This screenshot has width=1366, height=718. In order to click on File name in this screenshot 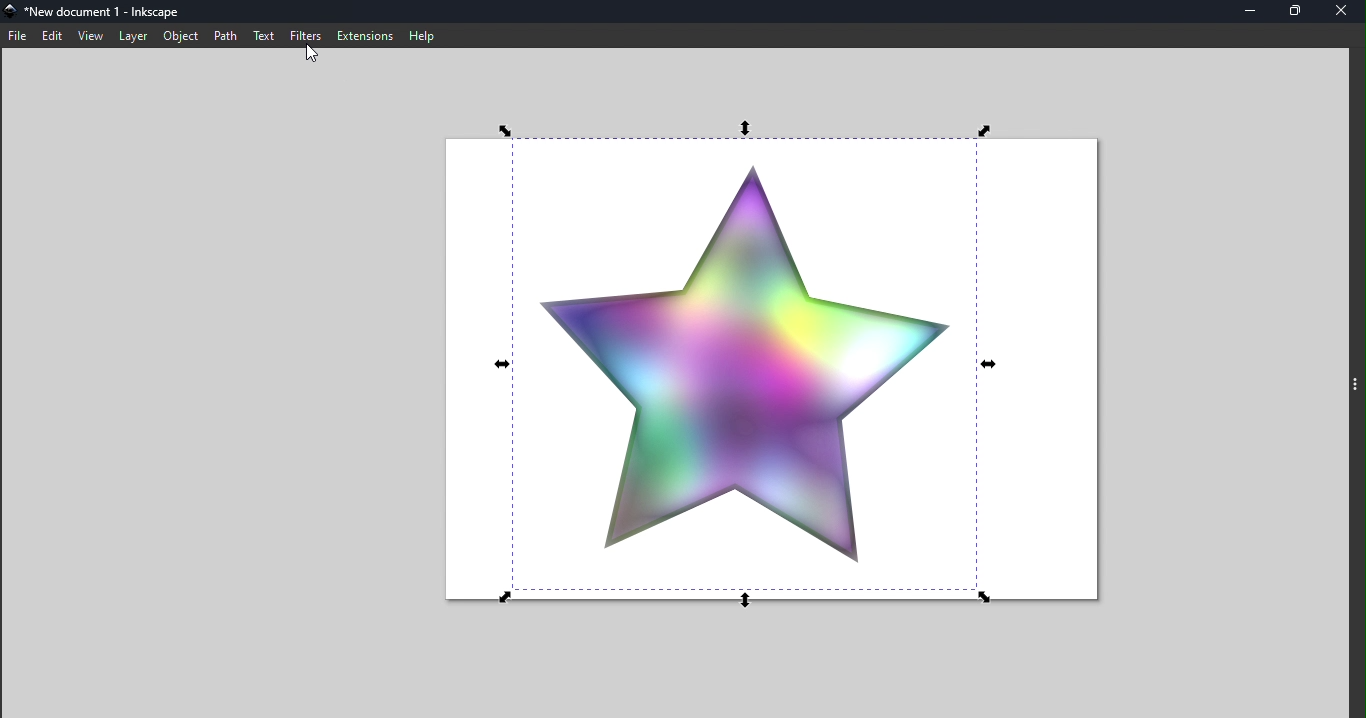, I will do `click(106, 13)`.